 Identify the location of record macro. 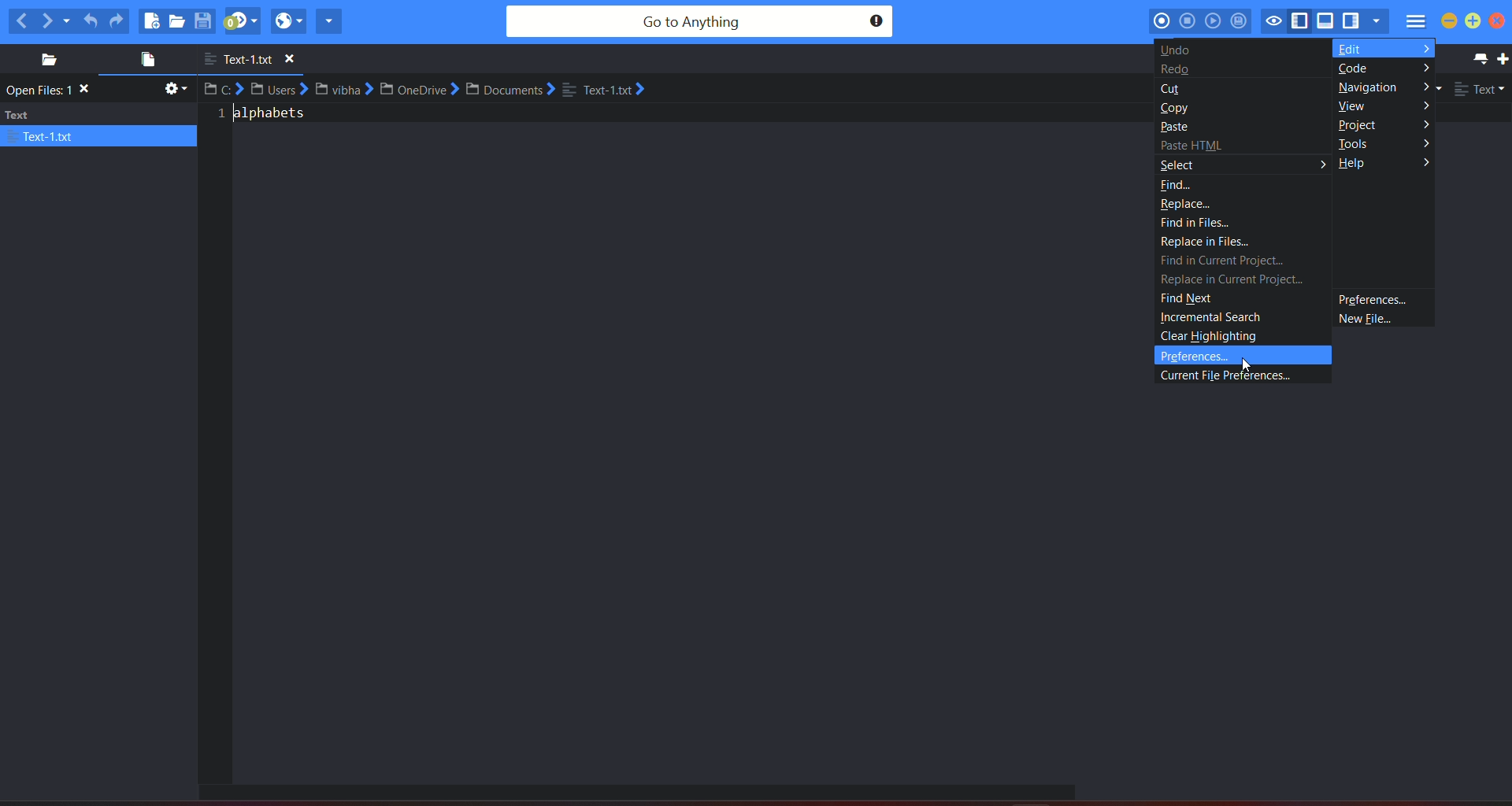
(1162, 20).